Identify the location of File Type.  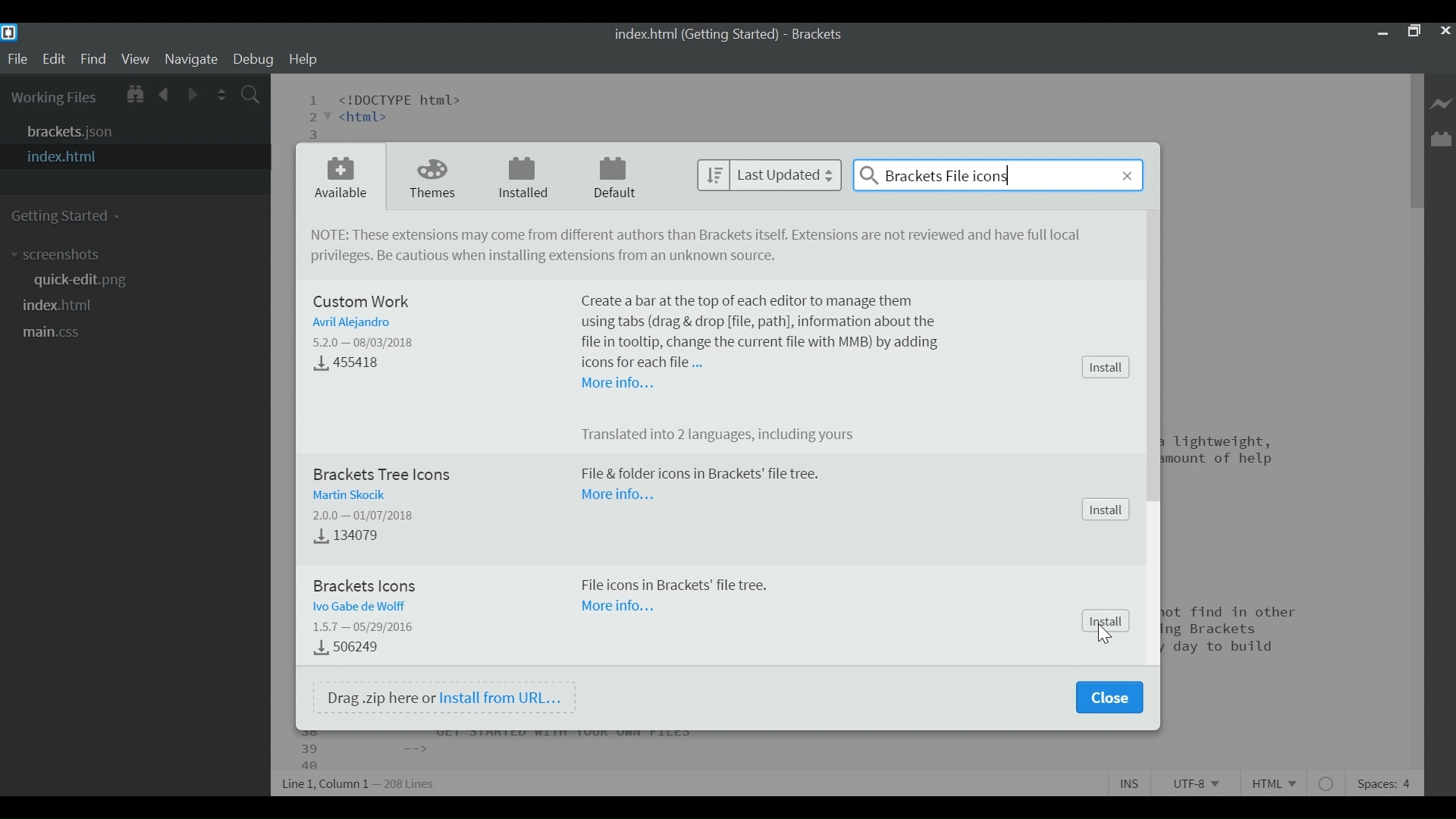
(1278, 781).